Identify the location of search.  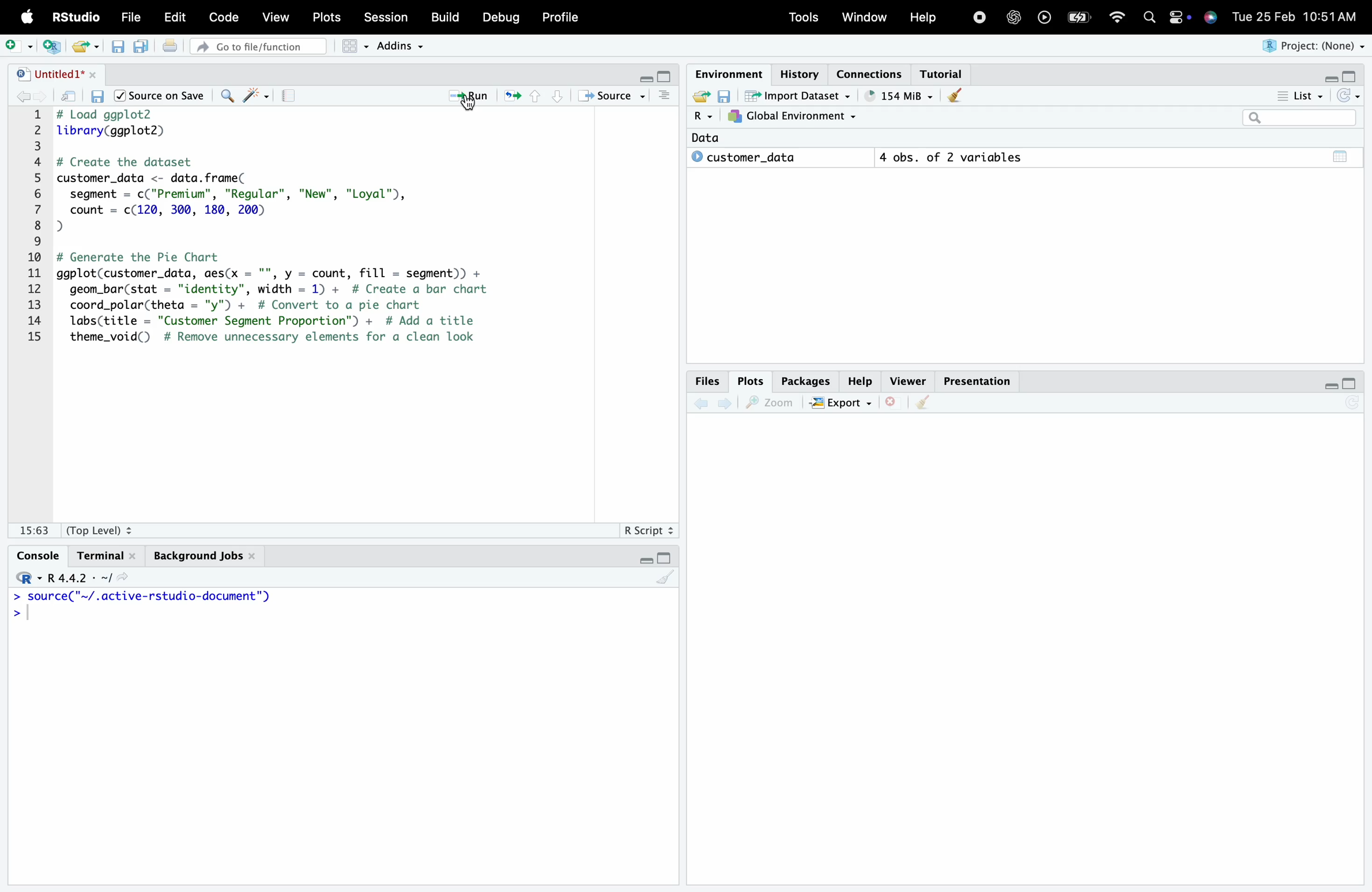
(228, 98).